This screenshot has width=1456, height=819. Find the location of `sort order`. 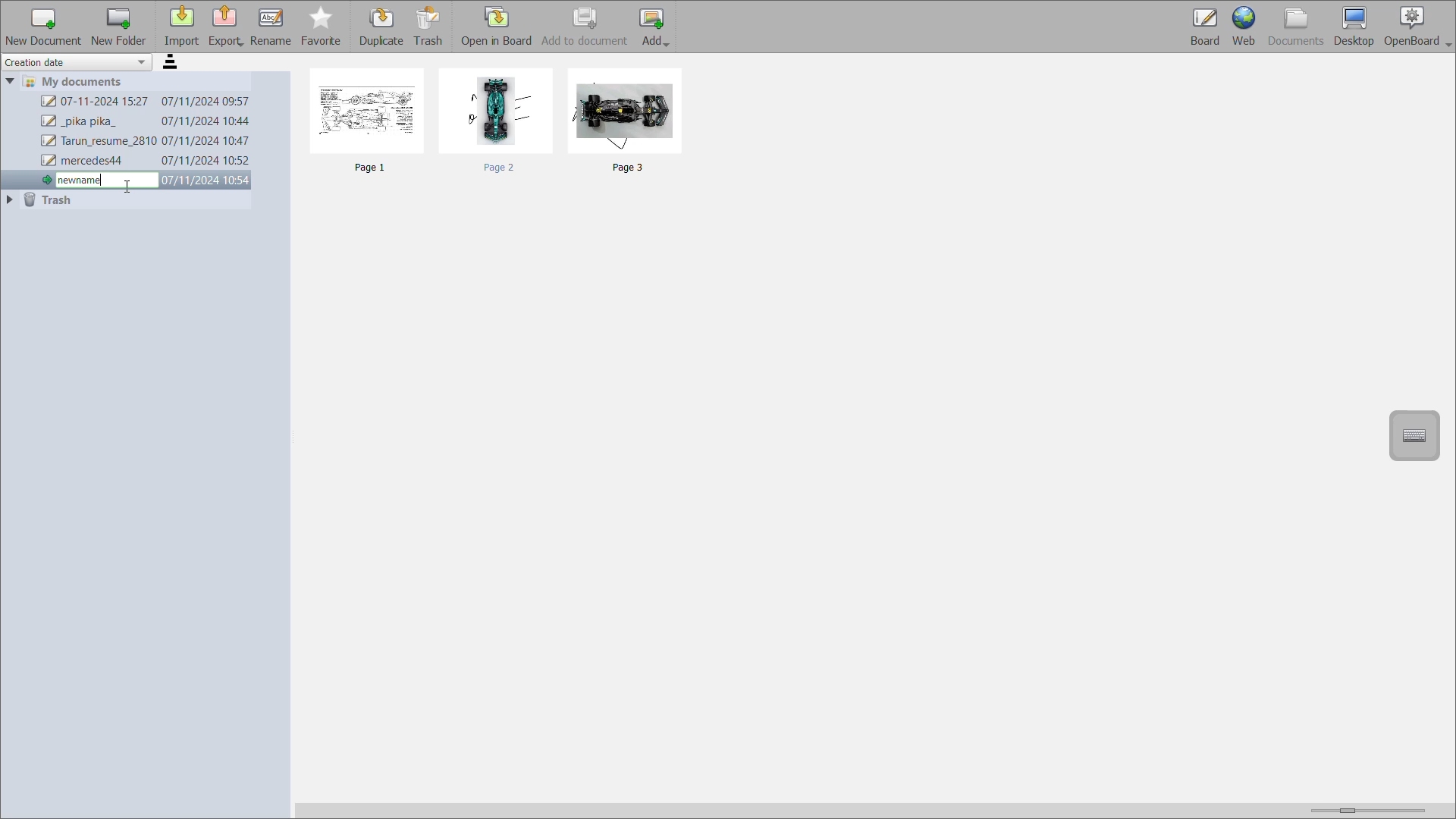

sort order is located at coordinates (174, 64).